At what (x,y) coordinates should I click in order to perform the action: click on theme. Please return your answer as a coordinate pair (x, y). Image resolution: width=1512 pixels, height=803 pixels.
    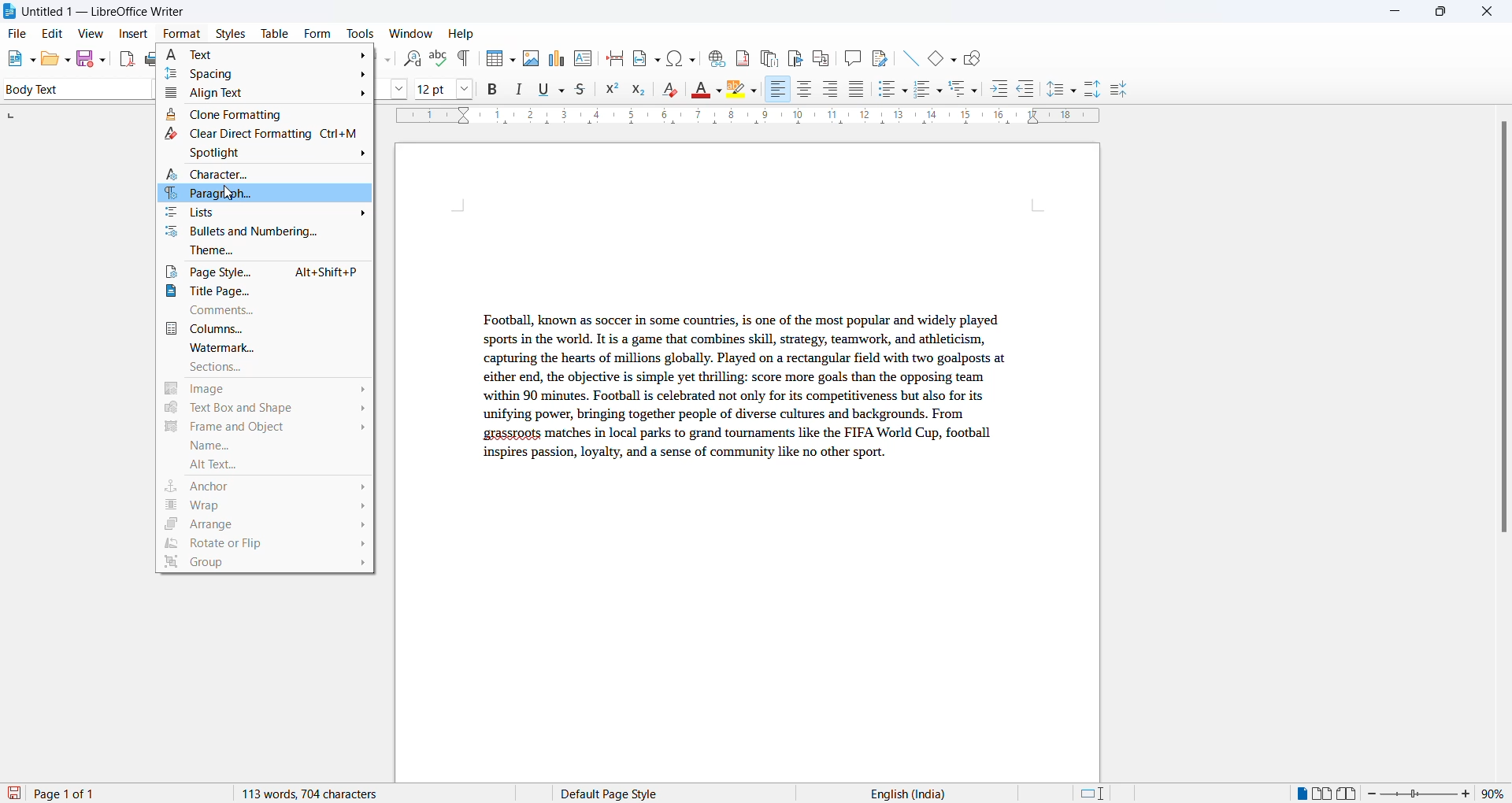
    Looking at the image, I should click on (268, 253).